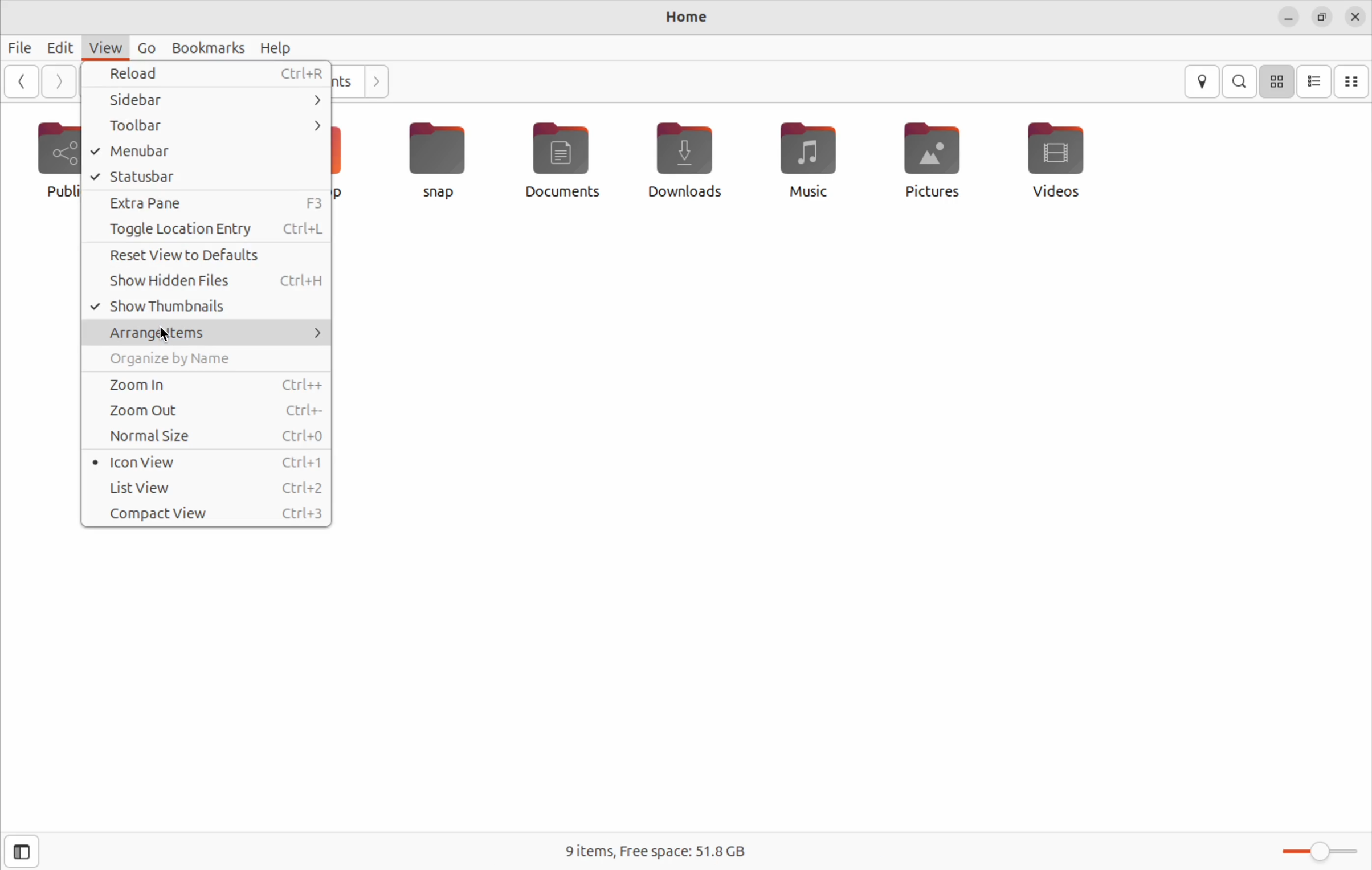 Image resolution: width=1372 pixels, height=870 pixels. Describe the element at coordinates (205, 360) in the screenshot. I see `orgainze names` at that location.